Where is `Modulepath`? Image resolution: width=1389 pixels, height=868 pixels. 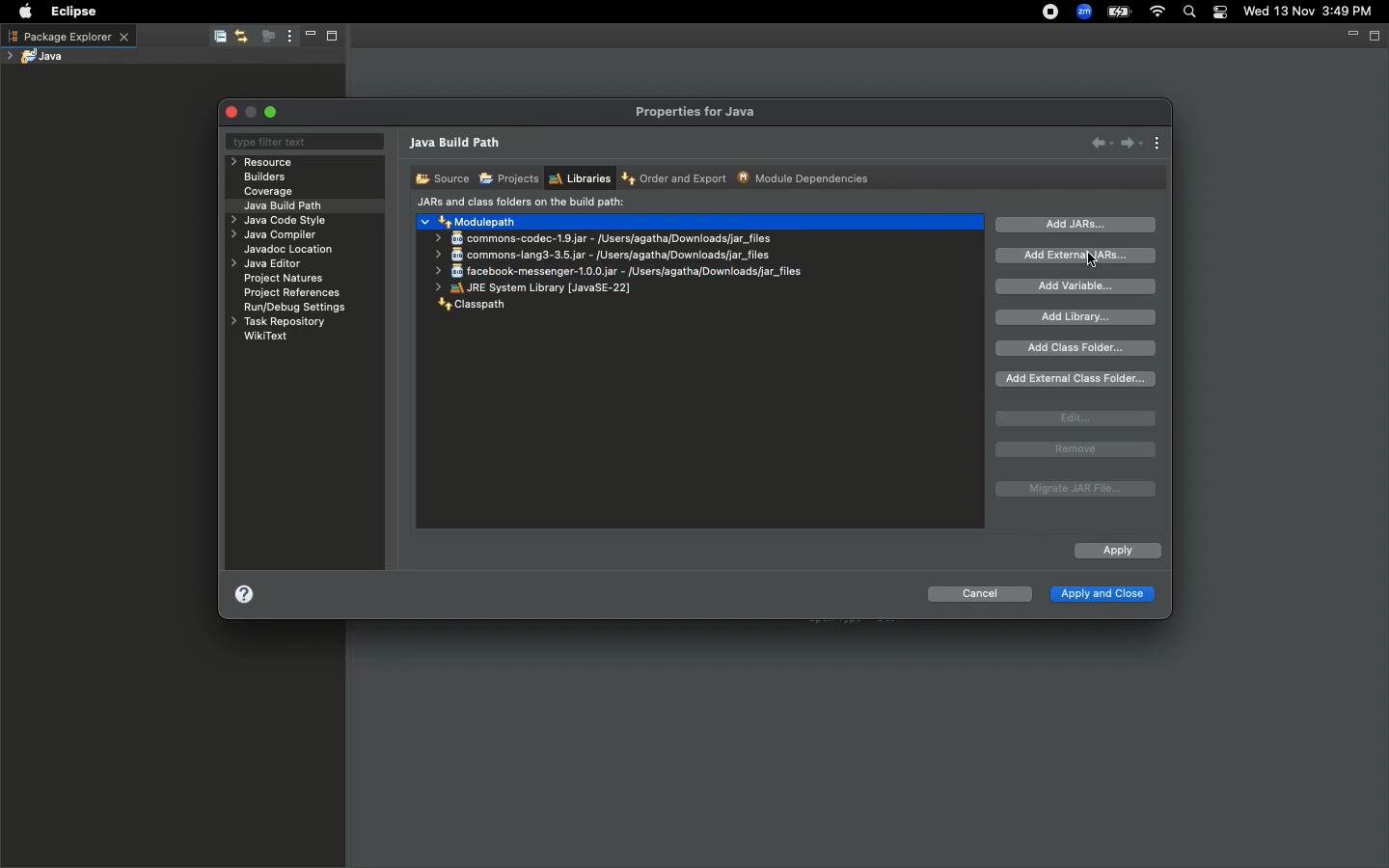 Modulepath is located at coordinates (471, 221).